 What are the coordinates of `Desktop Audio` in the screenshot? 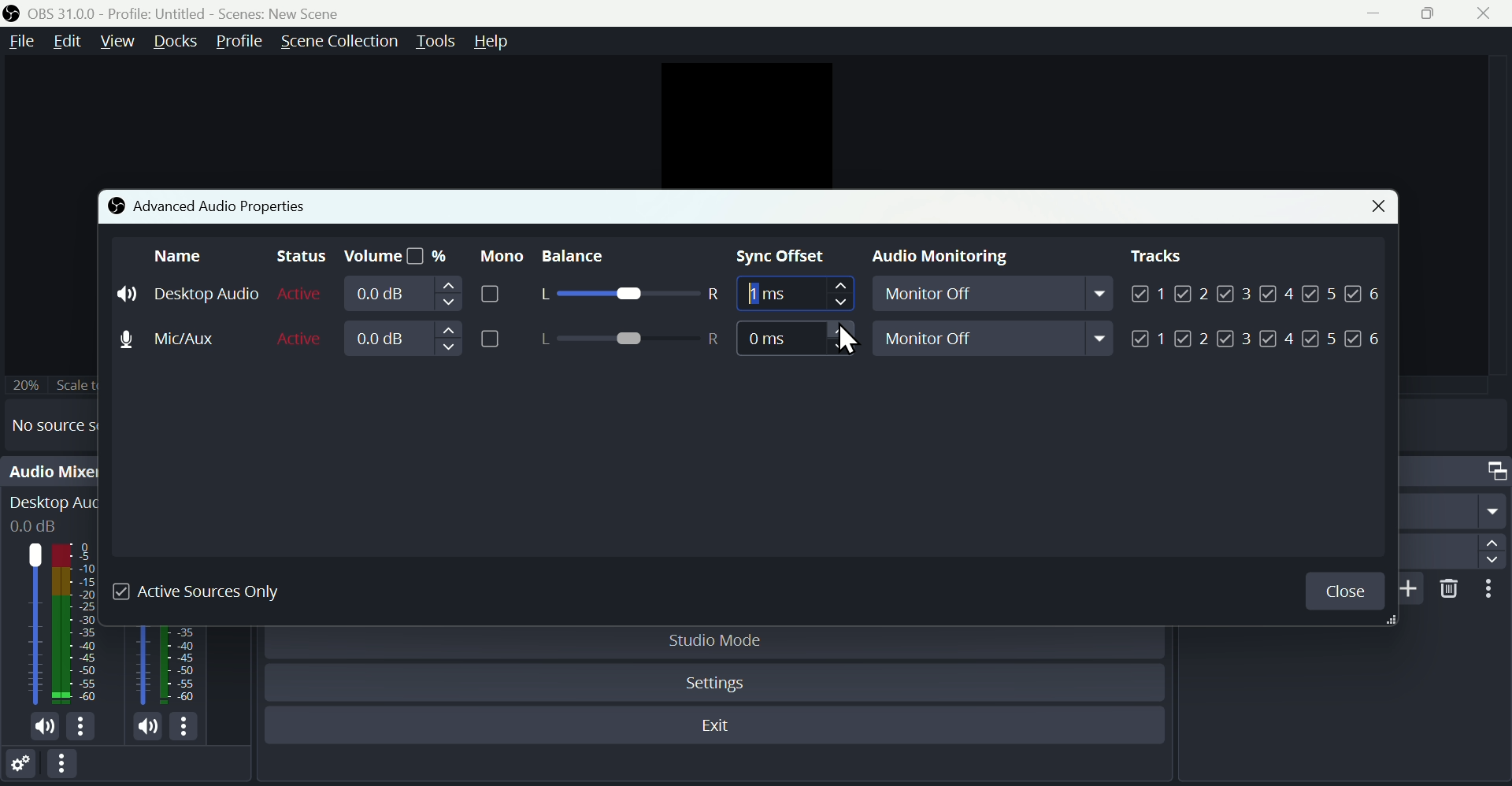 It's located at (78, 624).